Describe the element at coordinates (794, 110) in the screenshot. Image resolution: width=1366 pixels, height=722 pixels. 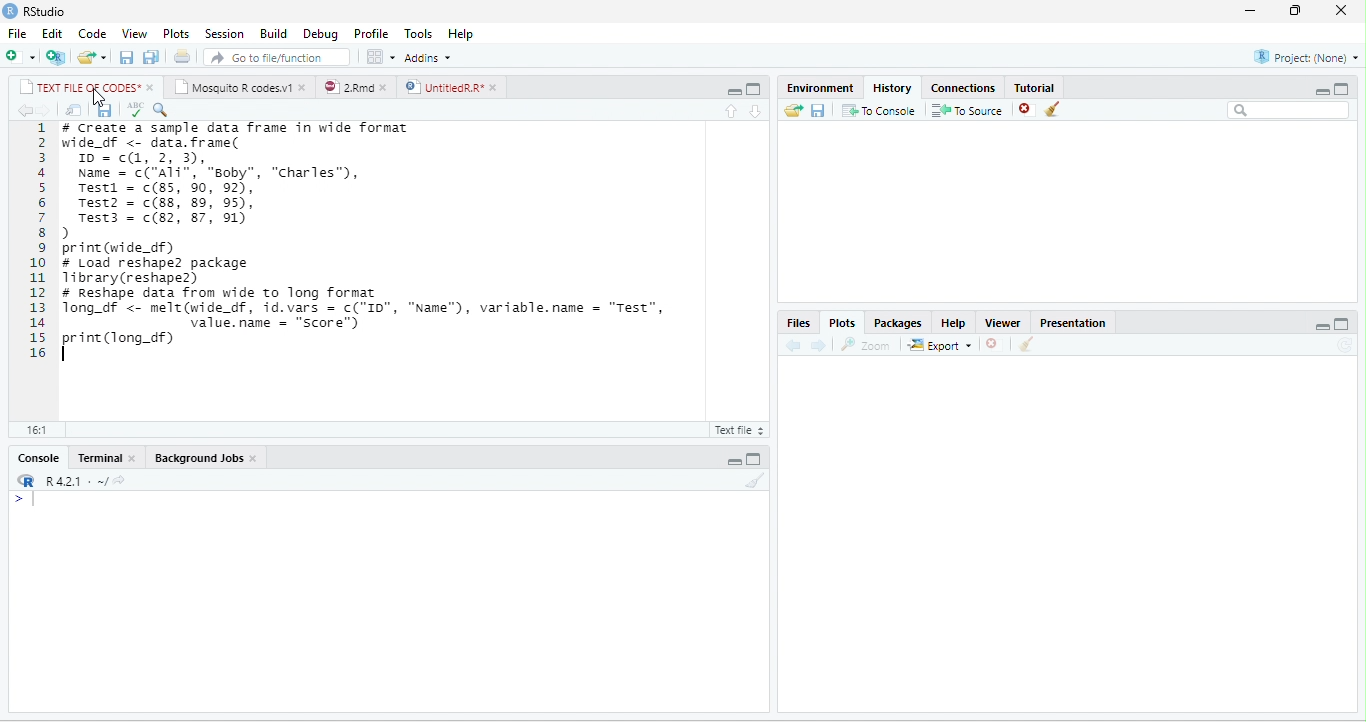
I see `open folder` at that location.